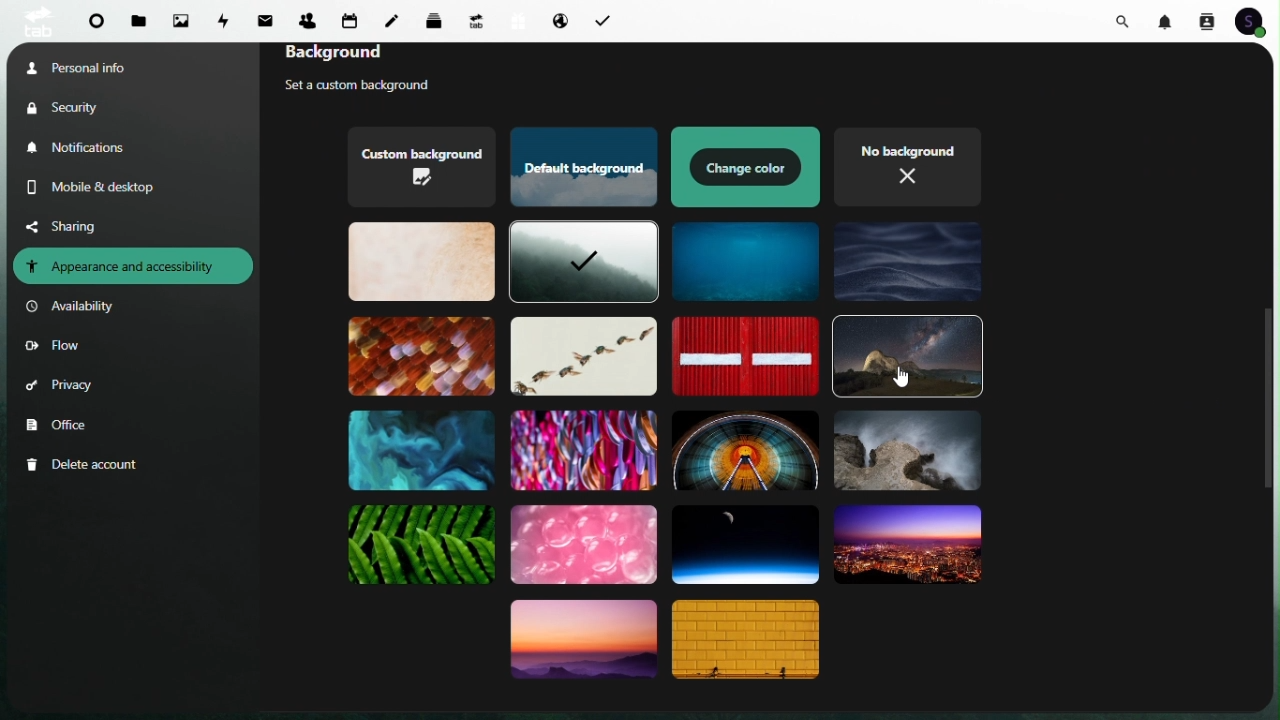  What do you see at coordinates (35, 21) in the screenshot?
I see `tab` at bounding box center [35, 21].